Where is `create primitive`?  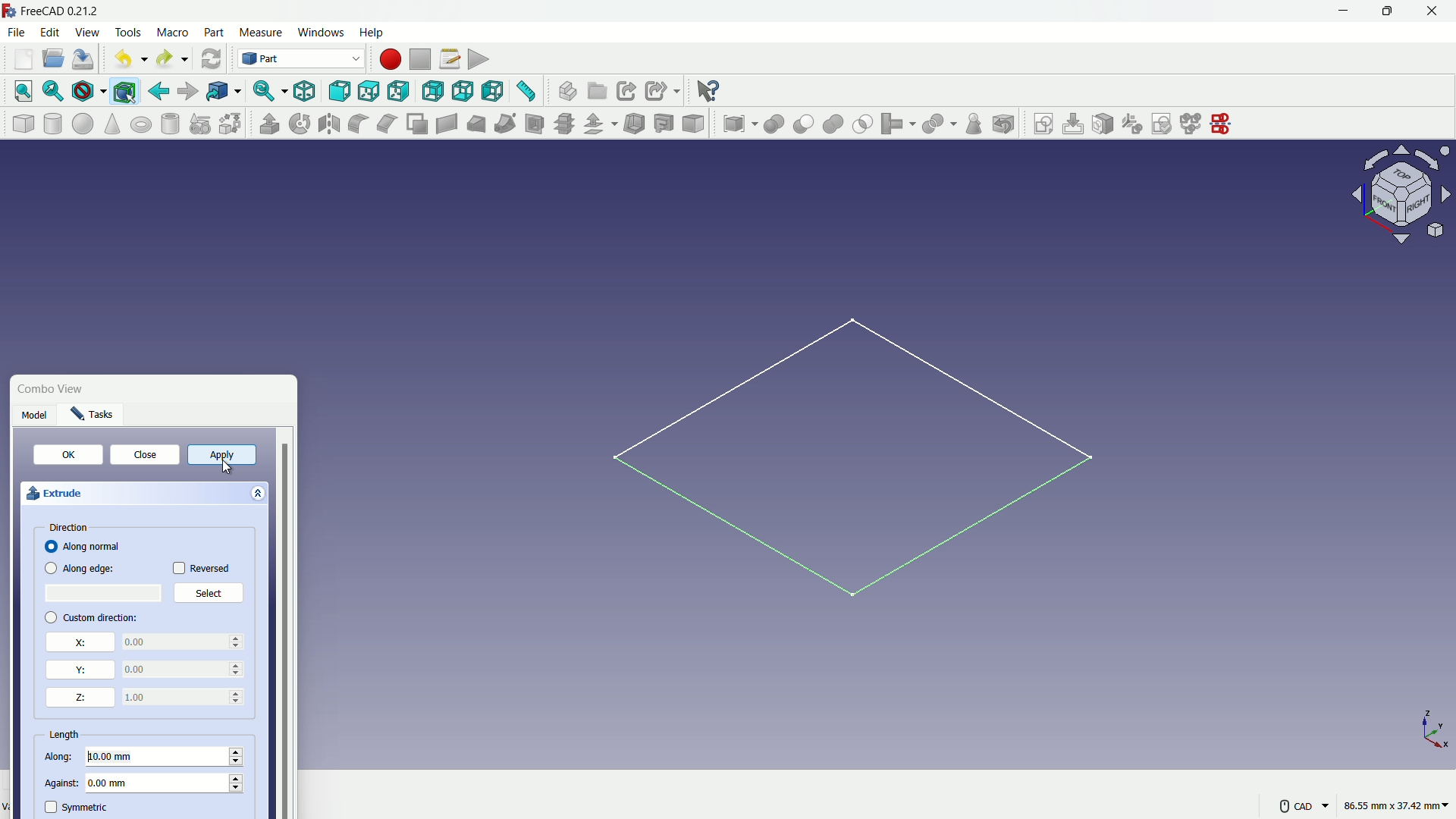 create primitive is located at coordinates (201, 124).